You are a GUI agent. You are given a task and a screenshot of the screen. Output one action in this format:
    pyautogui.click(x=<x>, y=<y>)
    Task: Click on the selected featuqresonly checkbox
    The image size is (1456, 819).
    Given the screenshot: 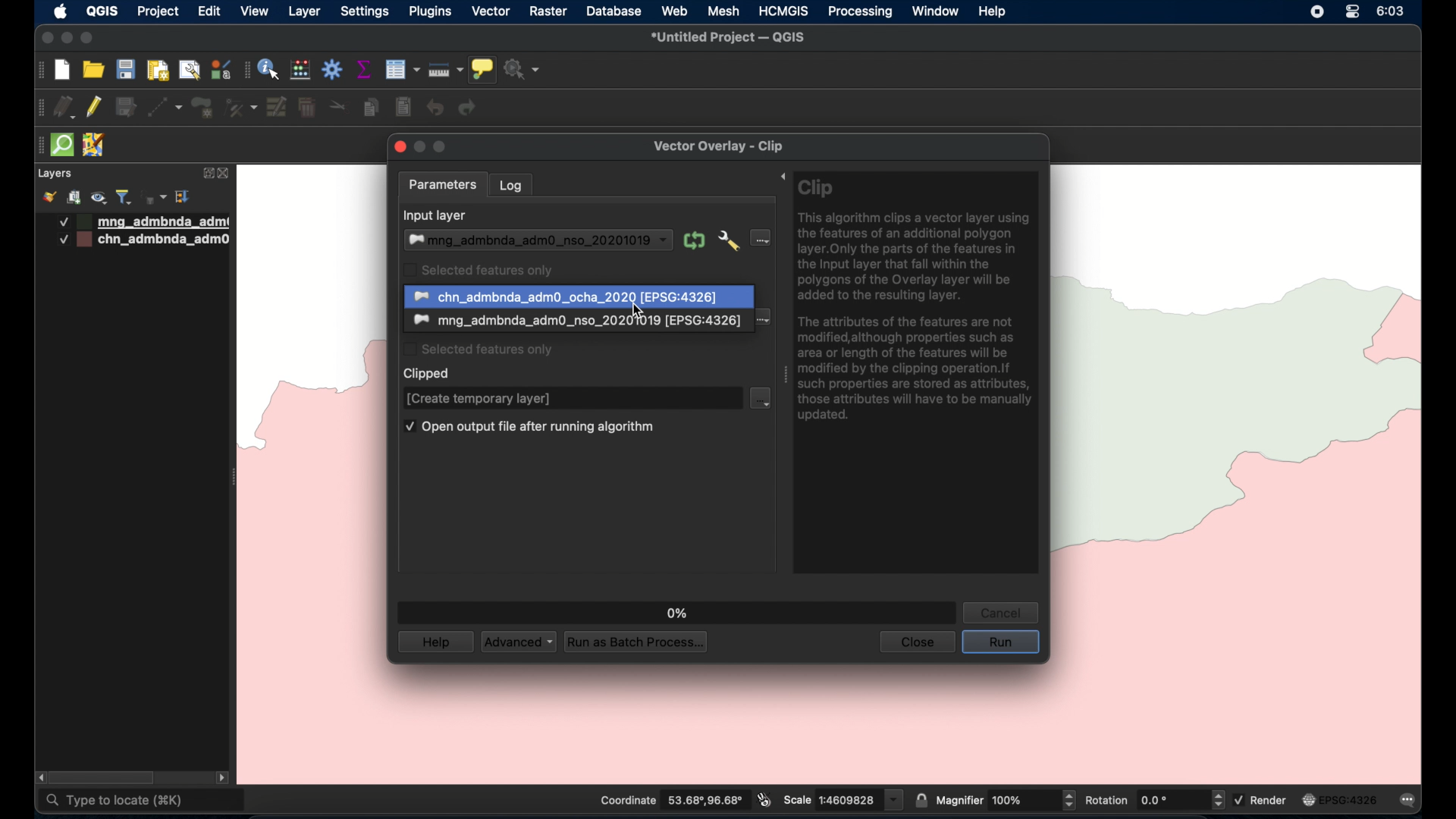 What is the action you would take?
    pyautogui.click(x=479, y=348)
    